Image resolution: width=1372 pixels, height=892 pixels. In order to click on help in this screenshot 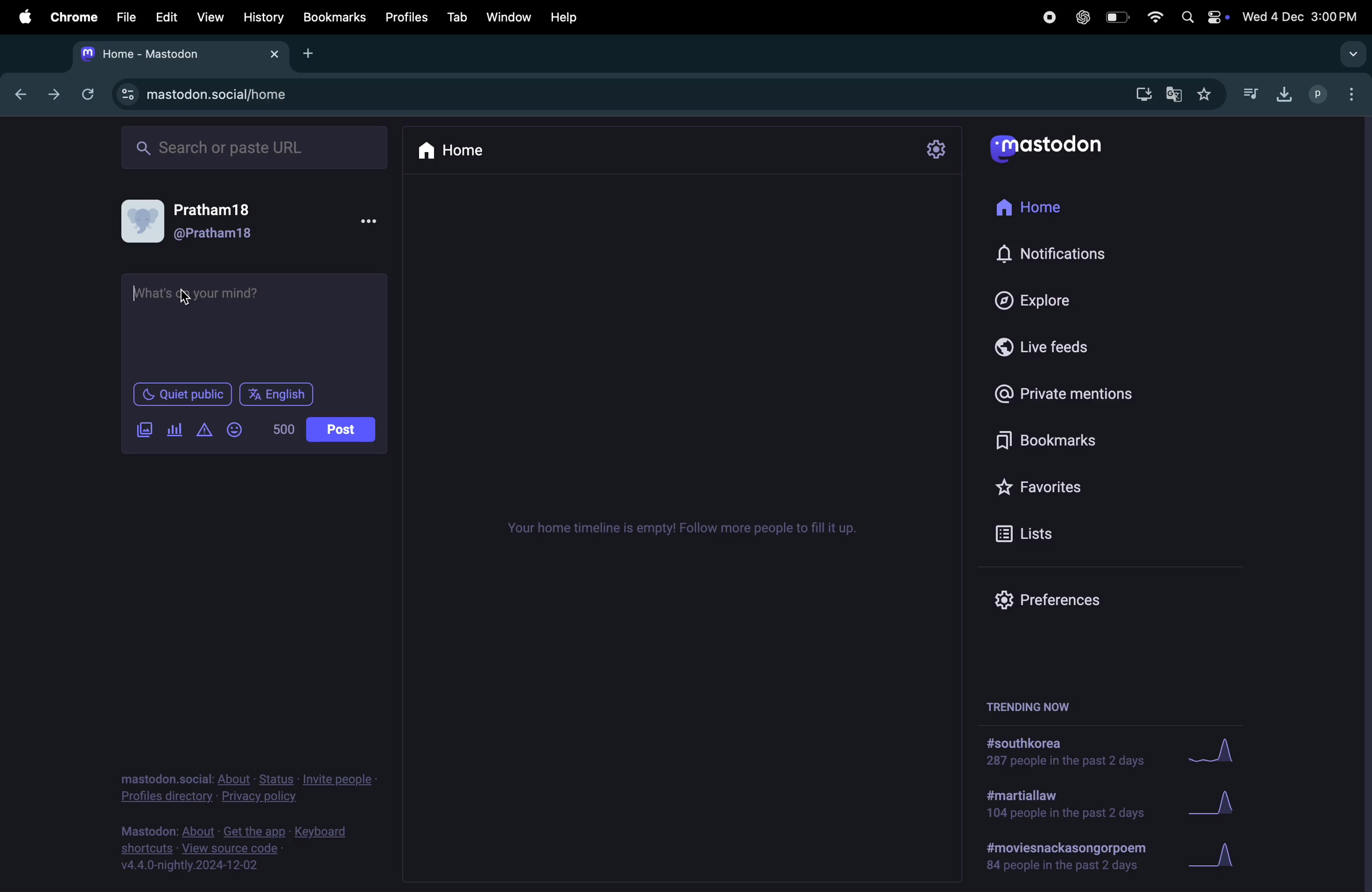, I will do `click(569, 17)`.